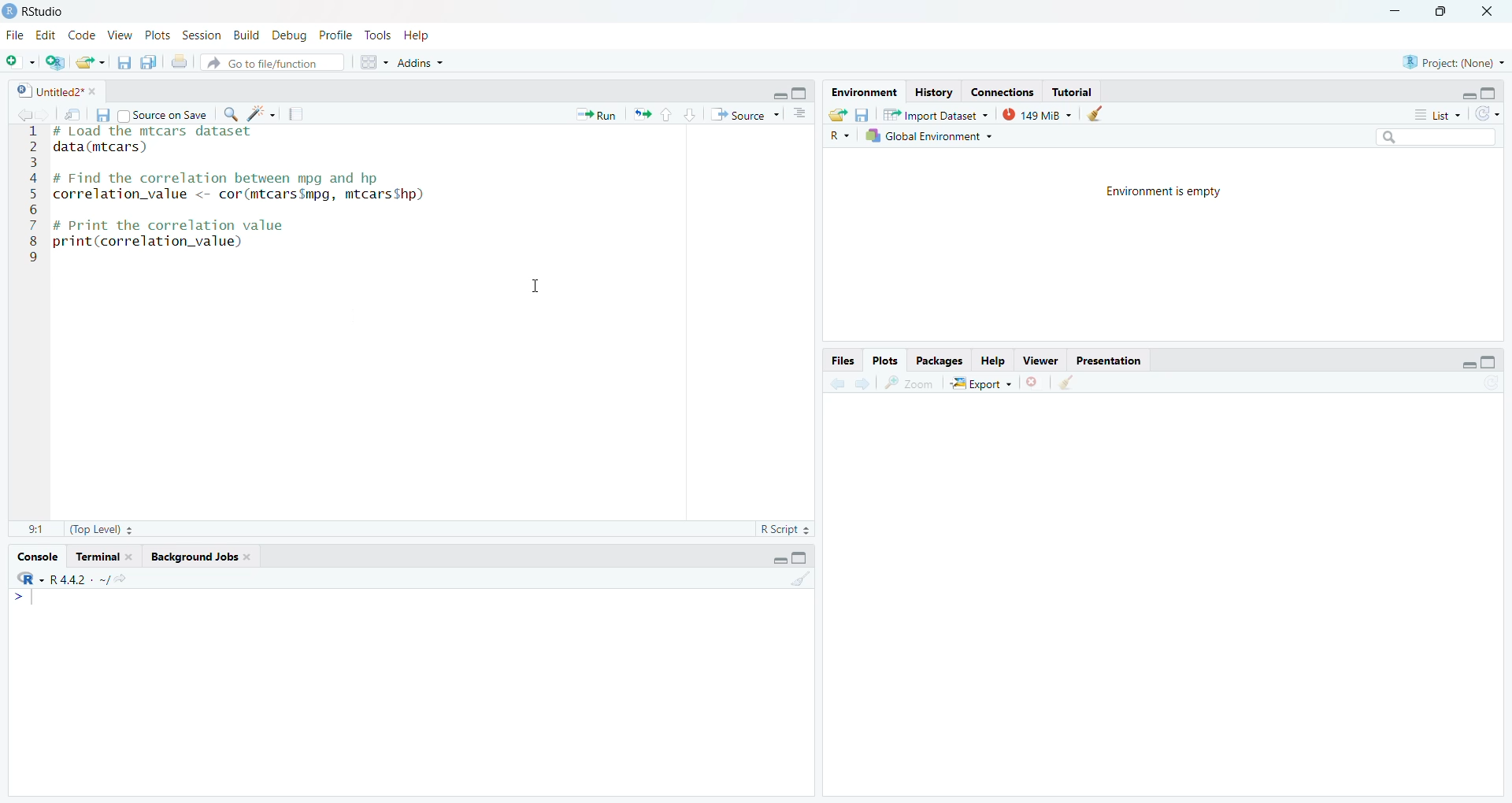  What do you see at coordinates (1439, 136) in the screenshot?
I see `Search bar` at bounding box center [1439, 136].